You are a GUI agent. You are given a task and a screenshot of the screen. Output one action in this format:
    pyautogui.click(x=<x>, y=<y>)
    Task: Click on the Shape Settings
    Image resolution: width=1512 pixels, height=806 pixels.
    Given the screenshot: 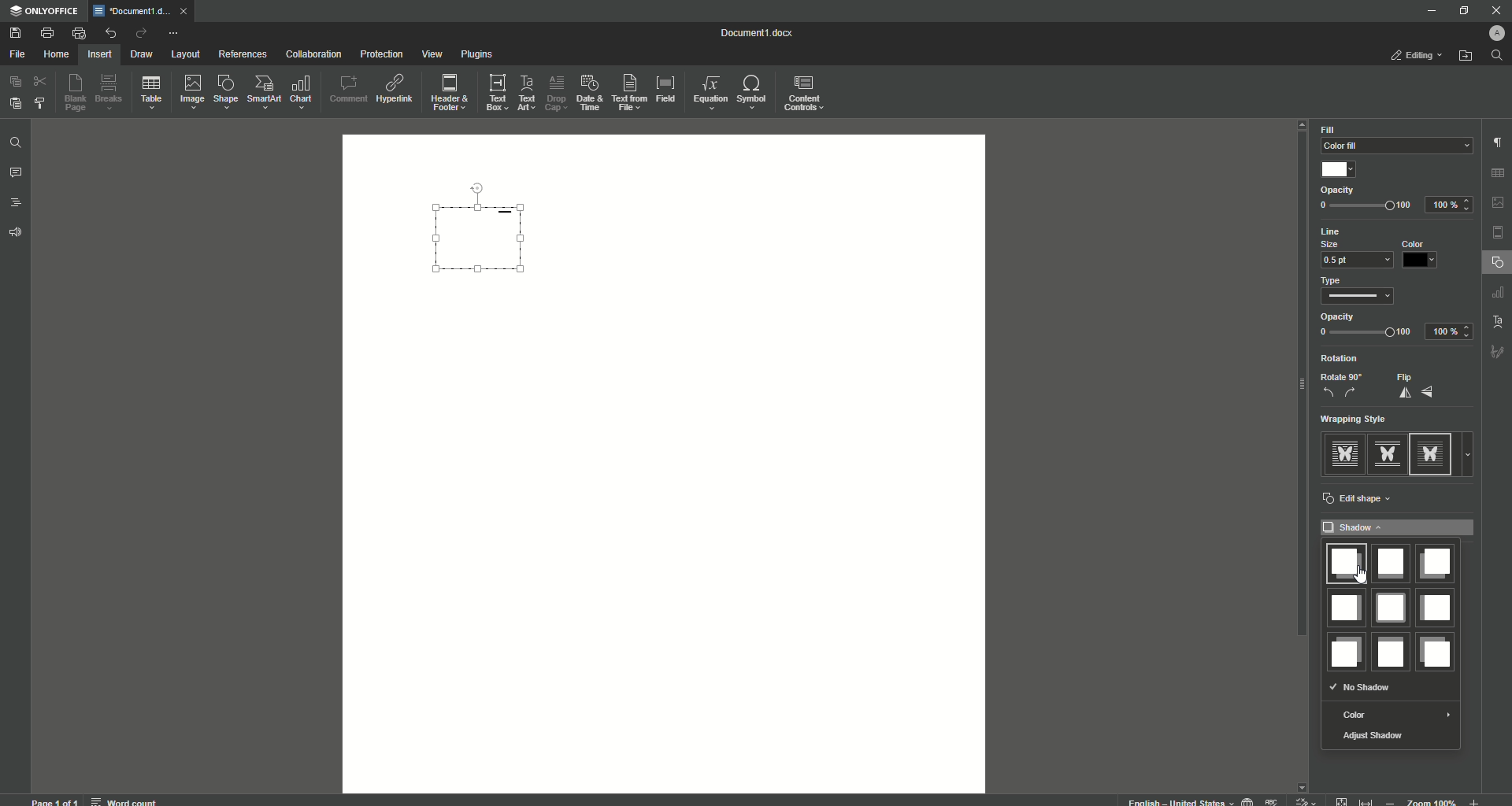 What is the action you would take?
    pyautogui.click(x=1497, y=263)
    